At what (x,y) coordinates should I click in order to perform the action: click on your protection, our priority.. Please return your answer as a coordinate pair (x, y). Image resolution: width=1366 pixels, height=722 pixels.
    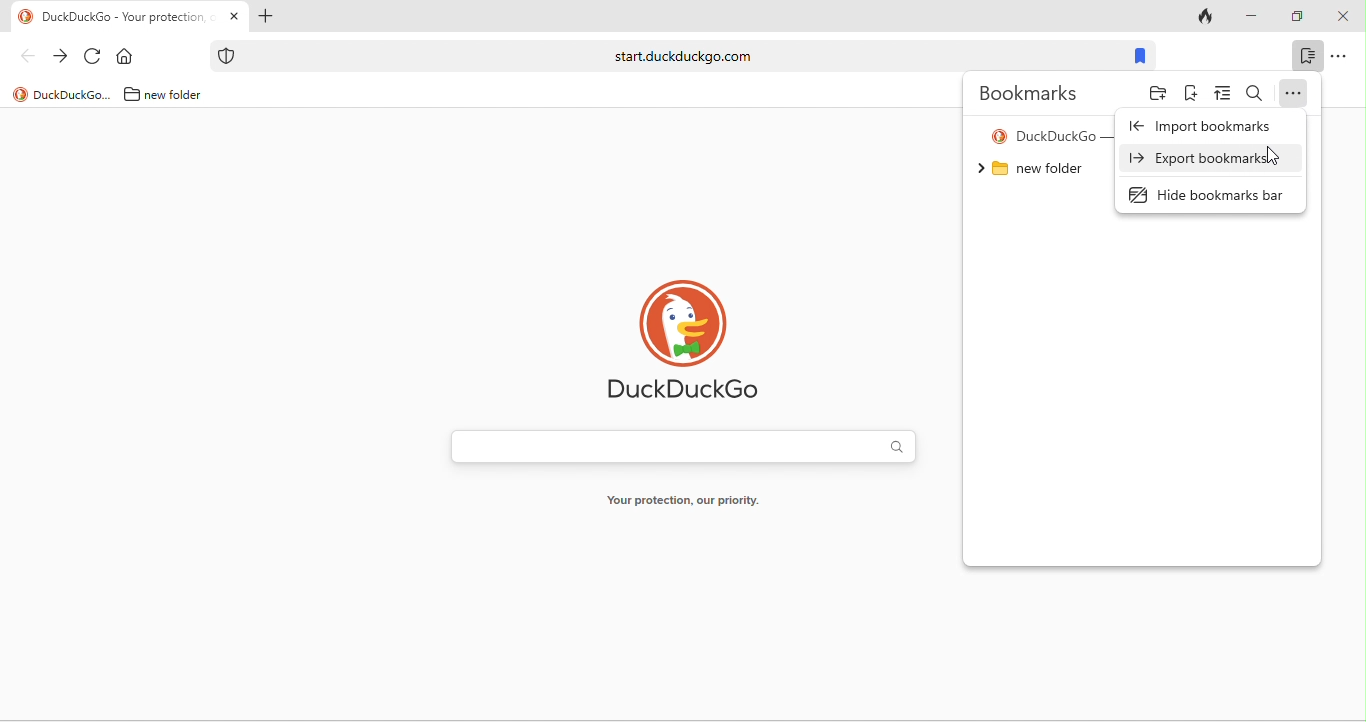
    Looking at the image, I should click on (683, 500).